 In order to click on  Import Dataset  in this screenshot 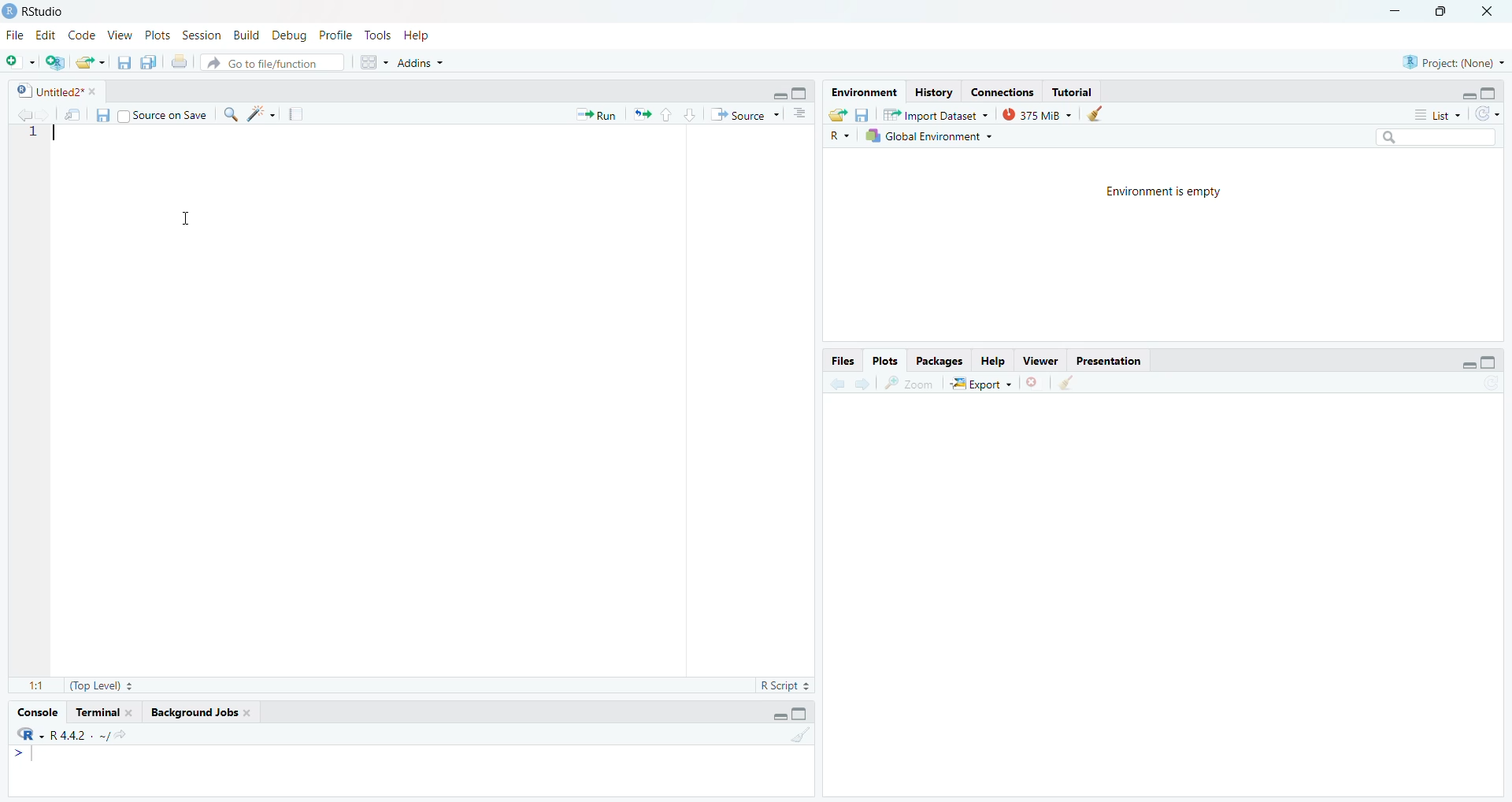, I will do `click(936, 113)`.